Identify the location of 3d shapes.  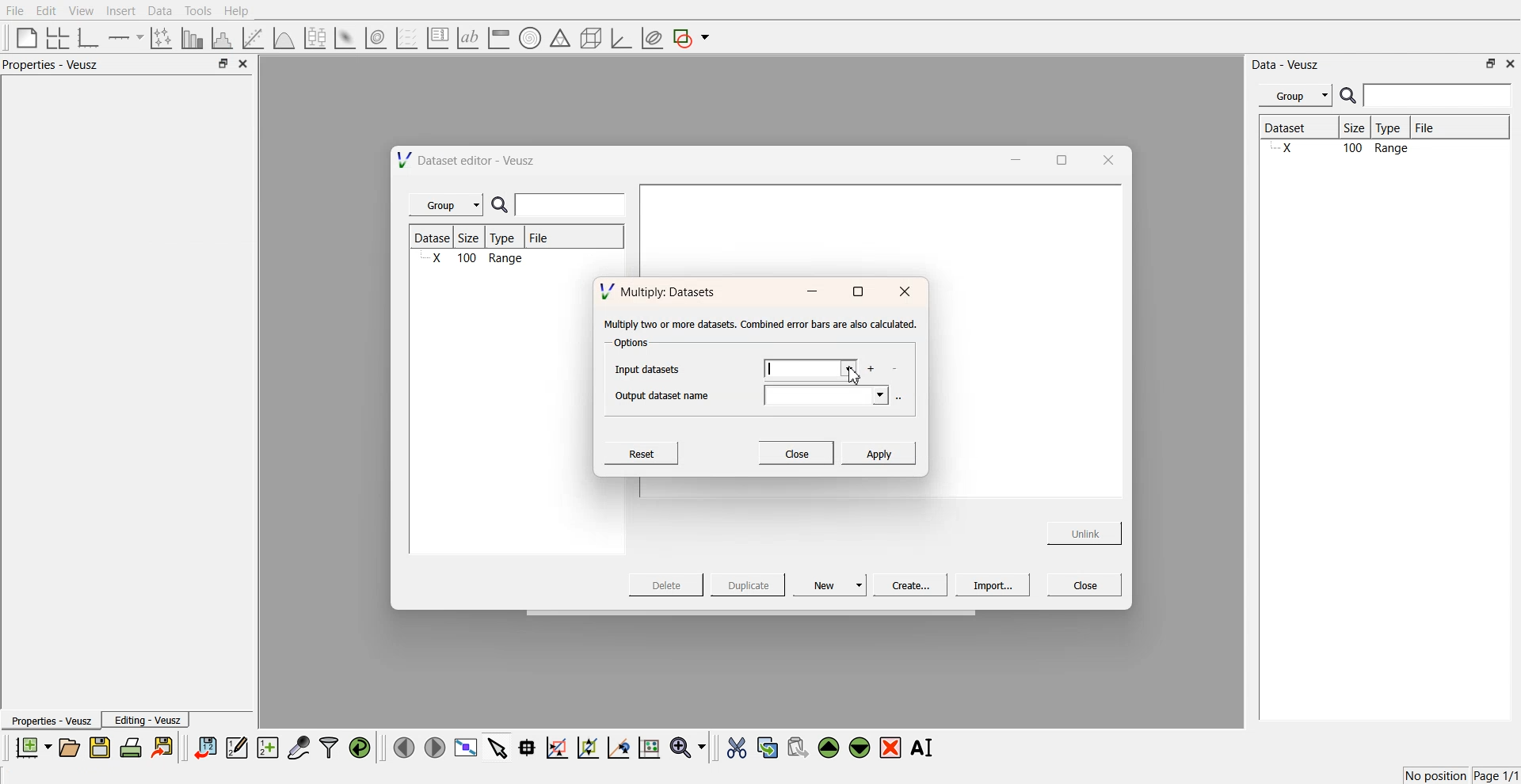
(588, 38).